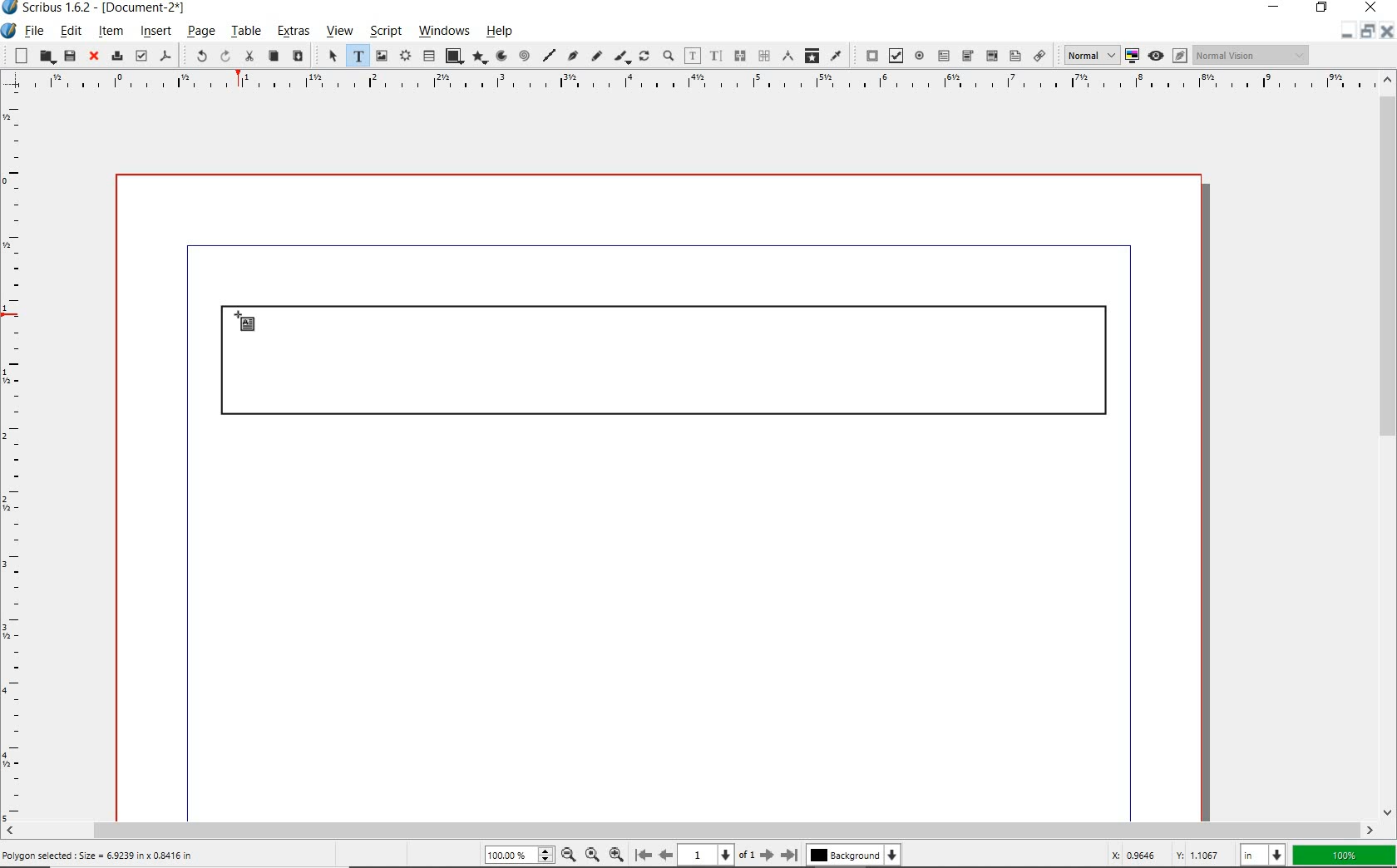  What do you see at coordinates (384, 31) in the screenshot?
I see `script` at bounding box center [384, 31].